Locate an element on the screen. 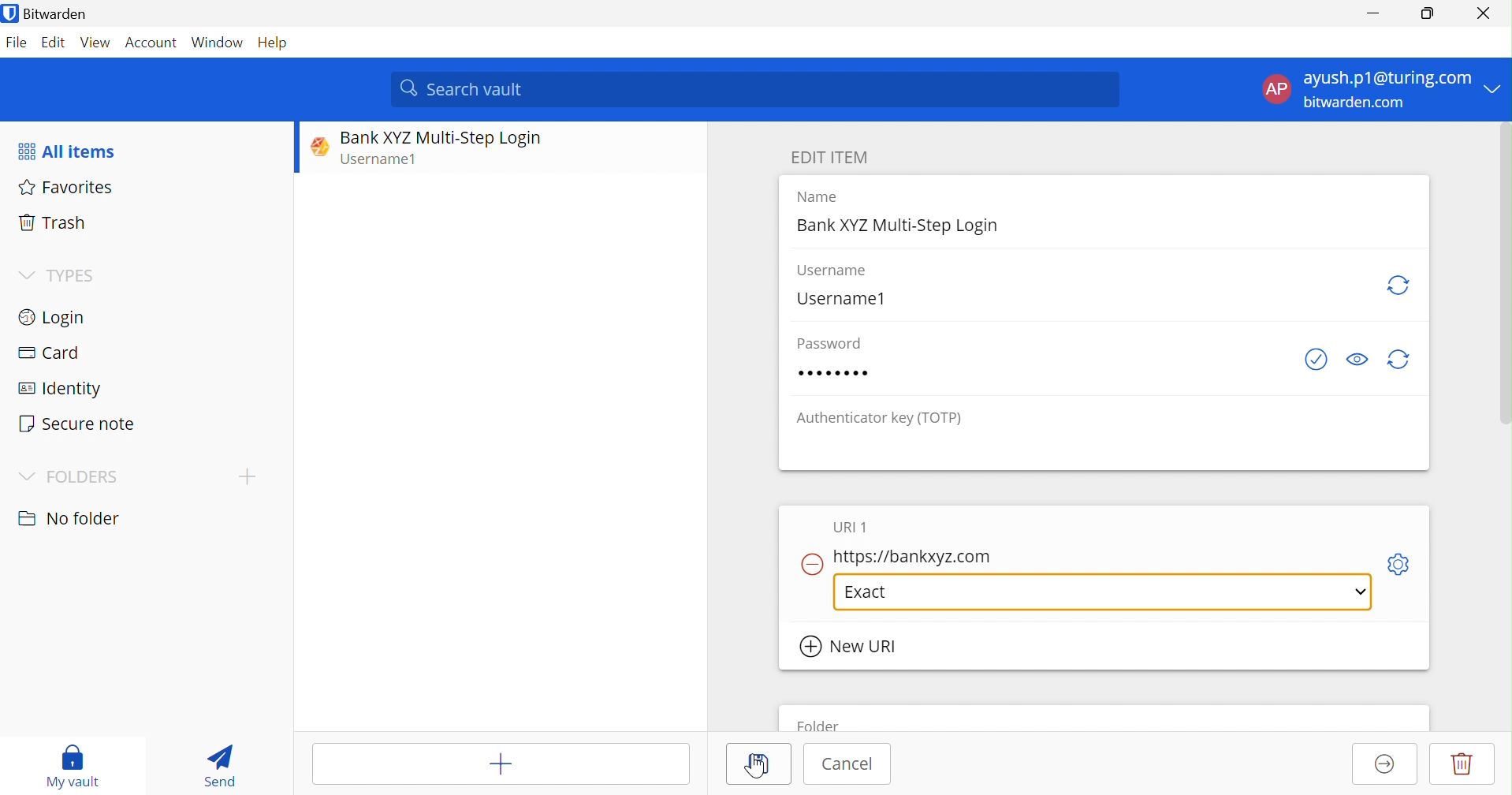  scroll bar is located at coordinates (1502, 289).